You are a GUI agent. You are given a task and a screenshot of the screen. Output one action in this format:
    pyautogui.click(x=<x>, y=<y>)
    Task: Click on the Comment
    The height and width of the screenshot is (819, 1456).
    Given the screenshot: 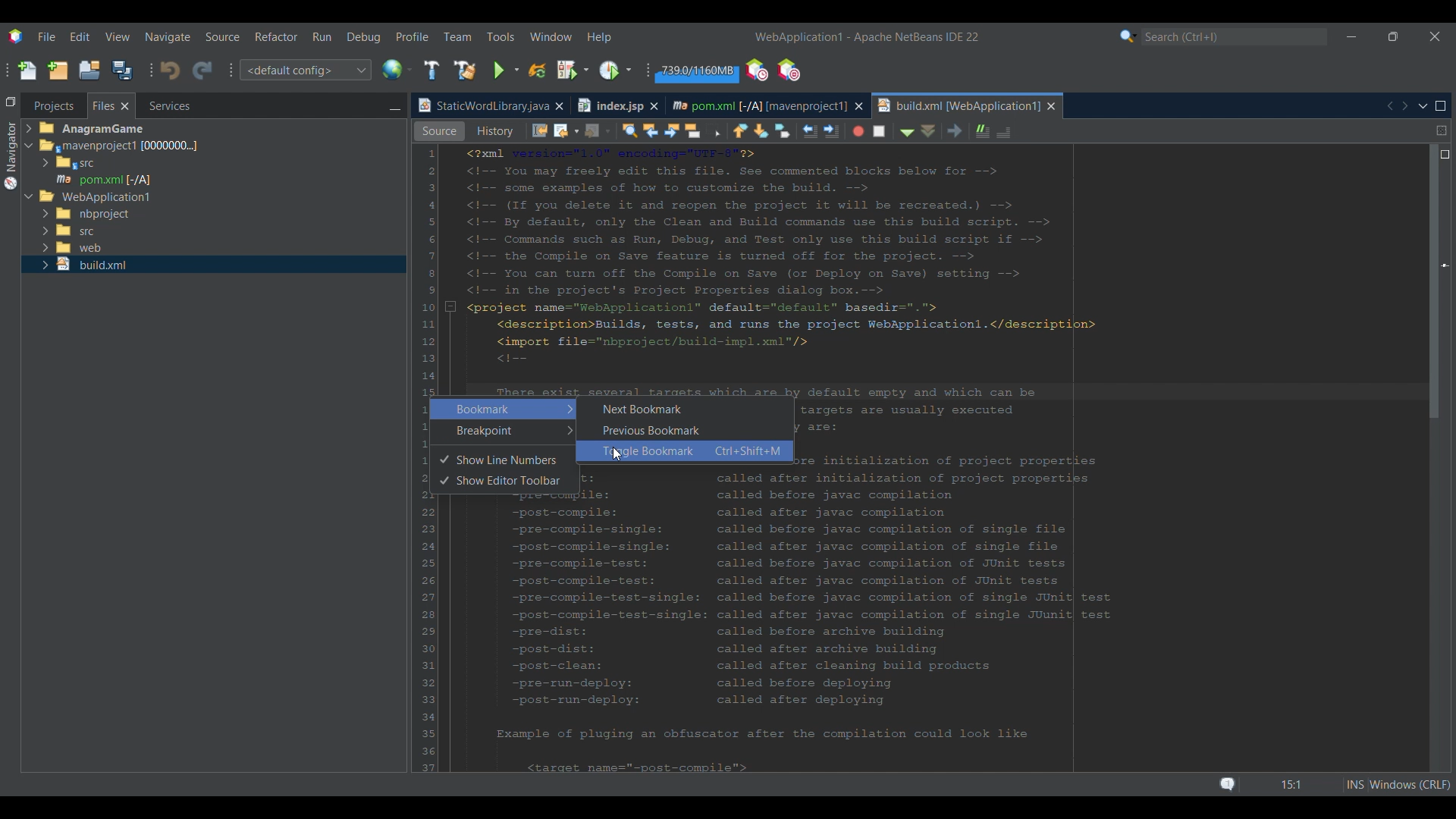 What is the action you would take?
    pyautogui.click(x=1116, y=129)
    